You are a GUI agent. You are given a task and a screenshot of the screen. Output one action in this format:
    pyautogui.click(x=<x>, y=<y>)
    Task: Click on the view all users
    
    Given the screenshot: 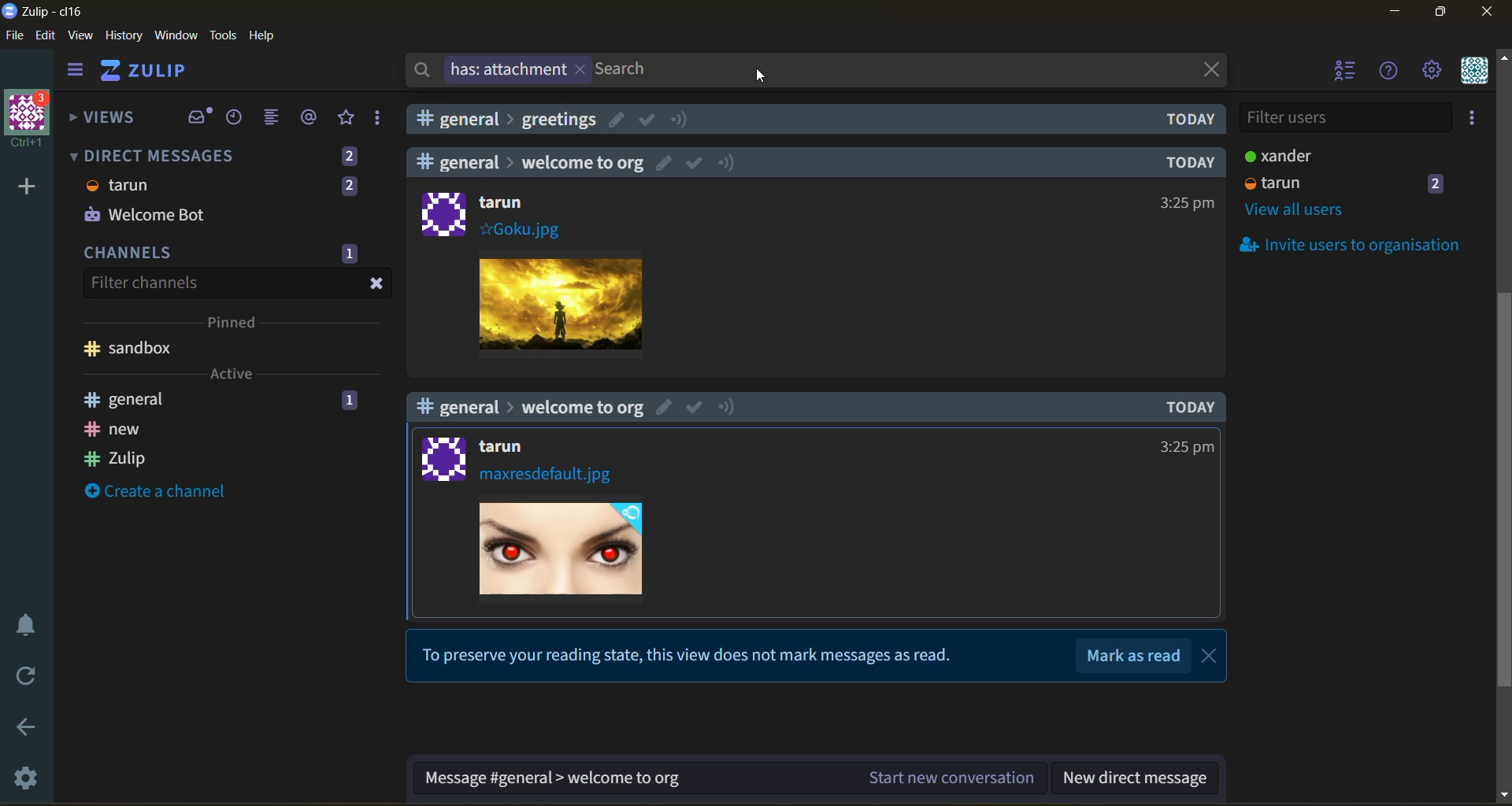 What is the action you would take?
    pyautogui.click(x=1298, y=211)
    